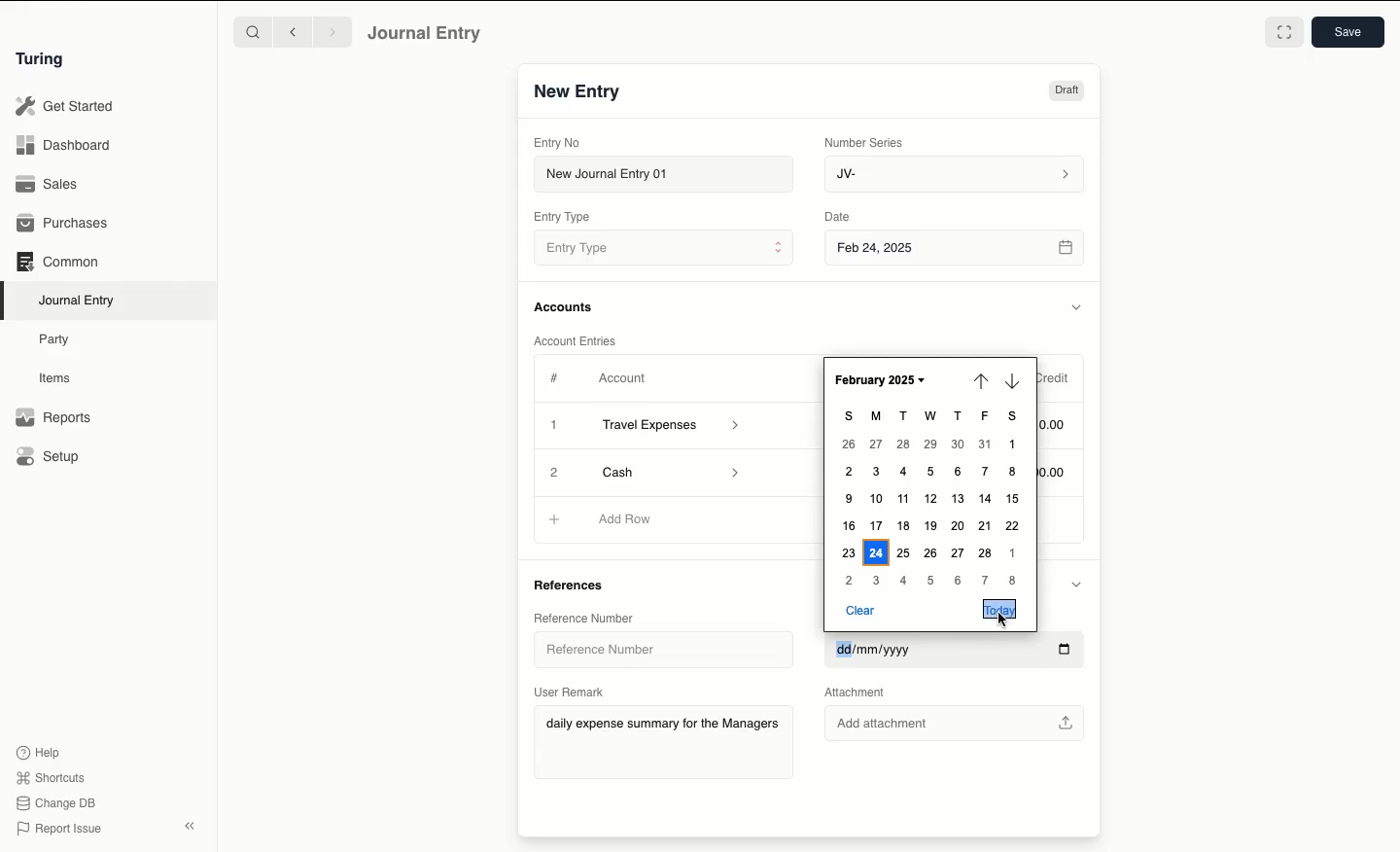 The image size is (1400, 852). Describe the element at coordinates (59, 262) in the screenshot. I see `Common` at that location.